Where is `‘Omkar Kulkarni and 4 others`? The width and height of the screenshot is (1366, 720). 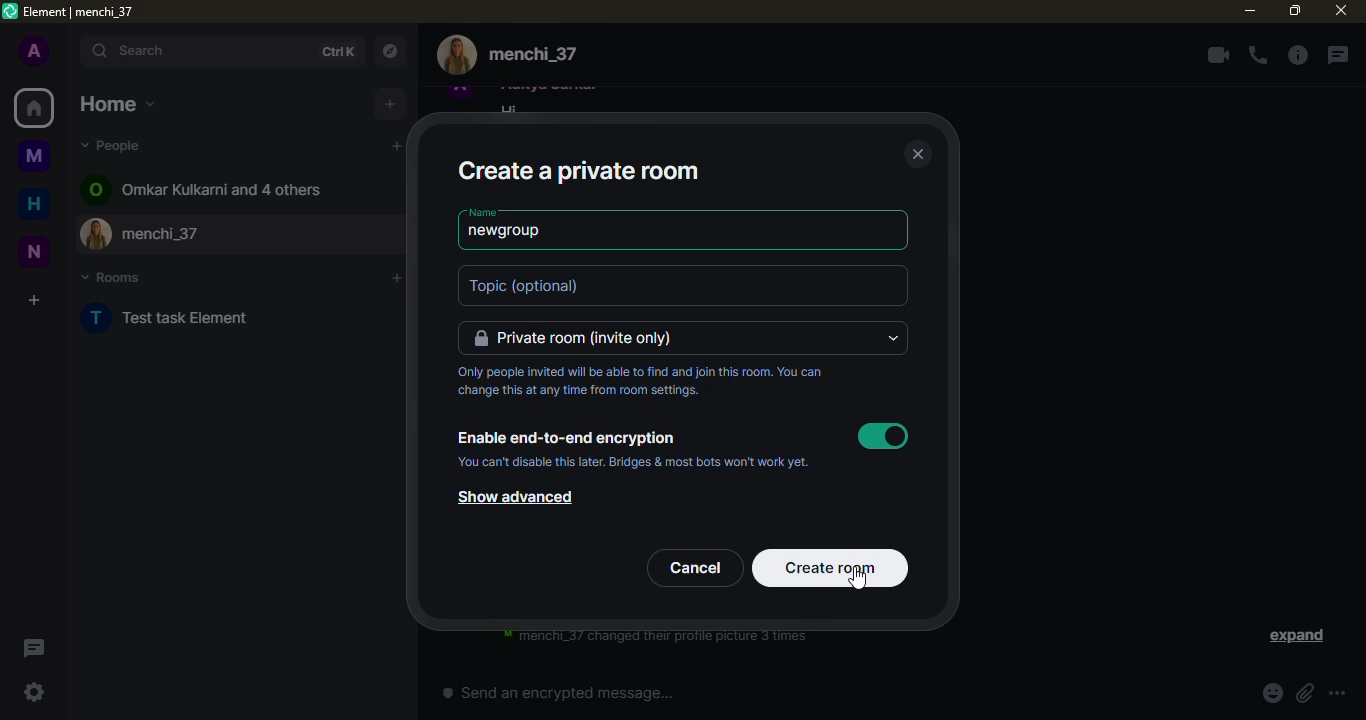
‘Omkar Kulkarni and 4 others is located at coordinates (222, 189).